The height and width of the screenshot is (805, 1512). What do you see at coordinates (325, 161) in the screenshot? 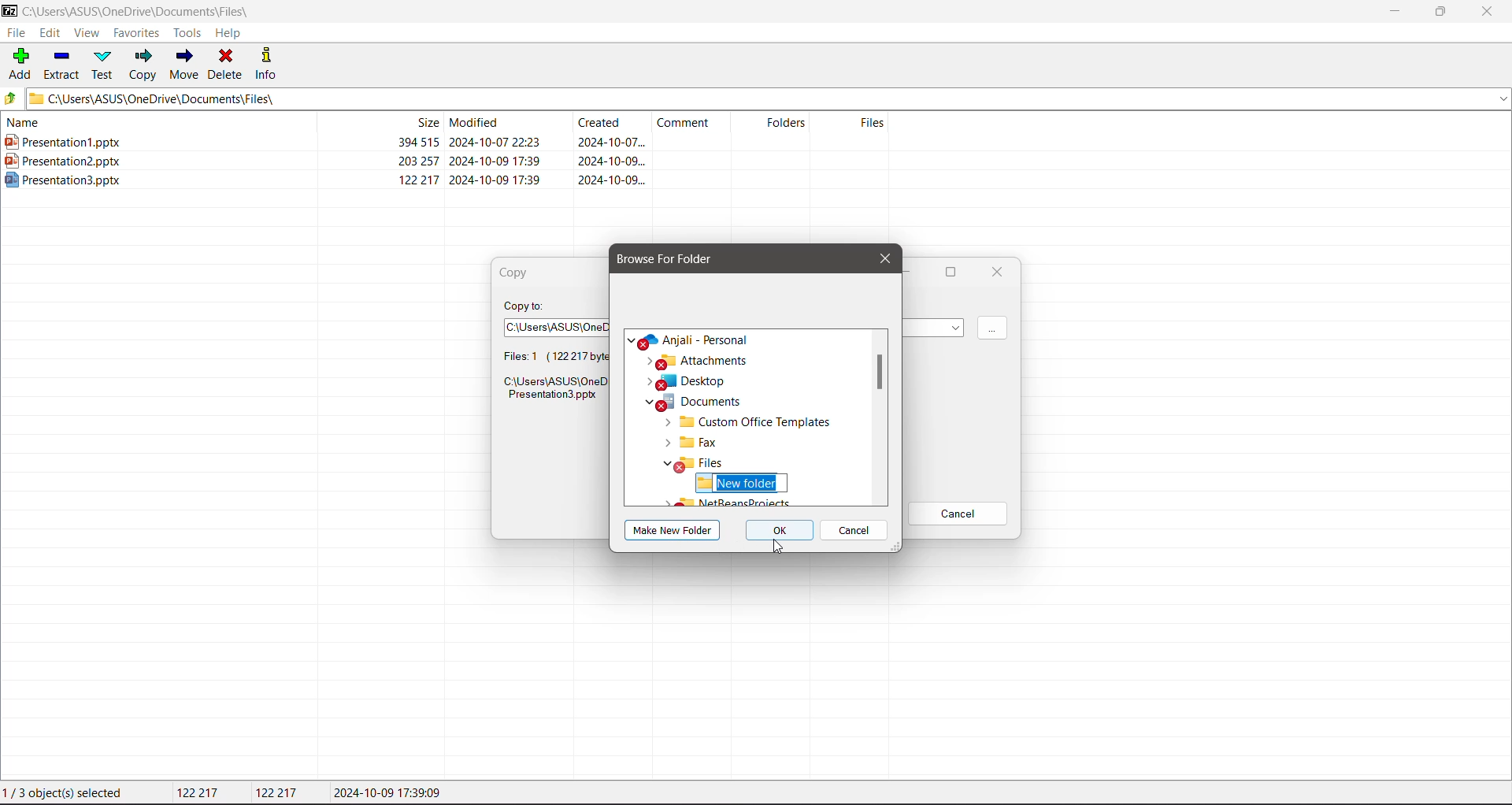
I see `Presetation2` at bounding box center [325, 161].